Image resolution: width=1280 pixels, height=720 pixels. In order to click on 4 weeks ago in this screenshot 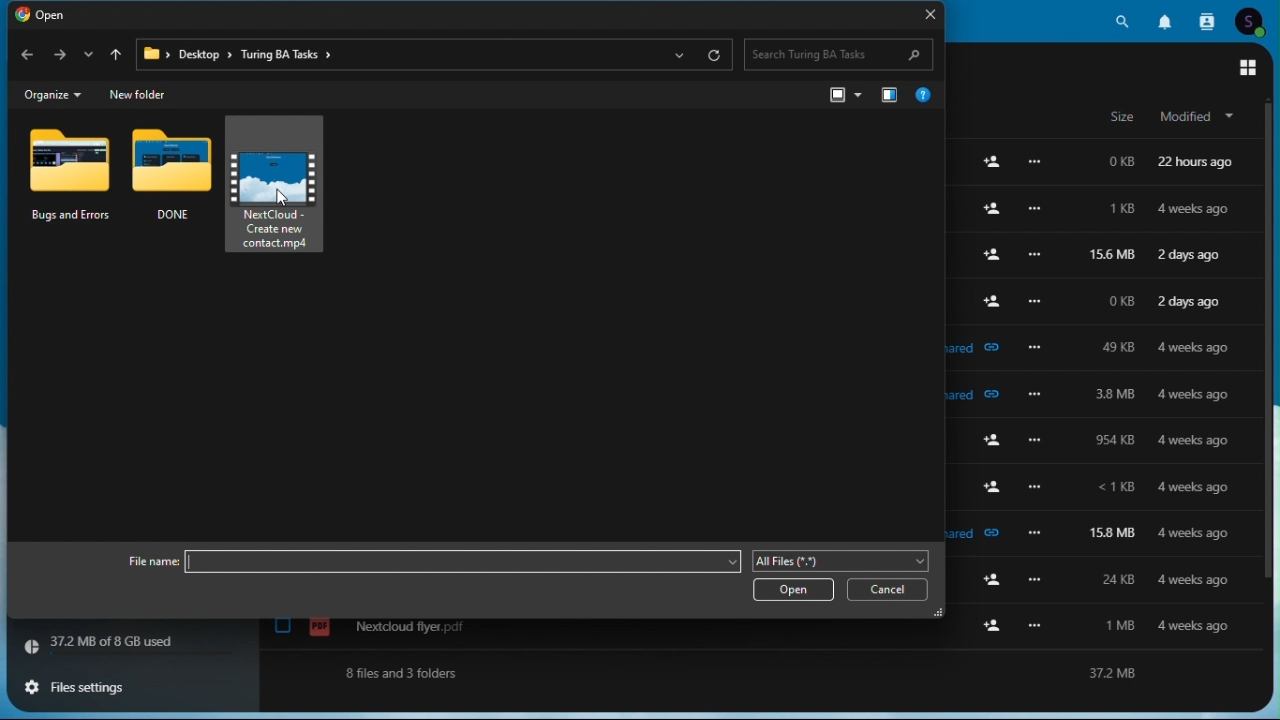, I will do `click(1199, 395)`.